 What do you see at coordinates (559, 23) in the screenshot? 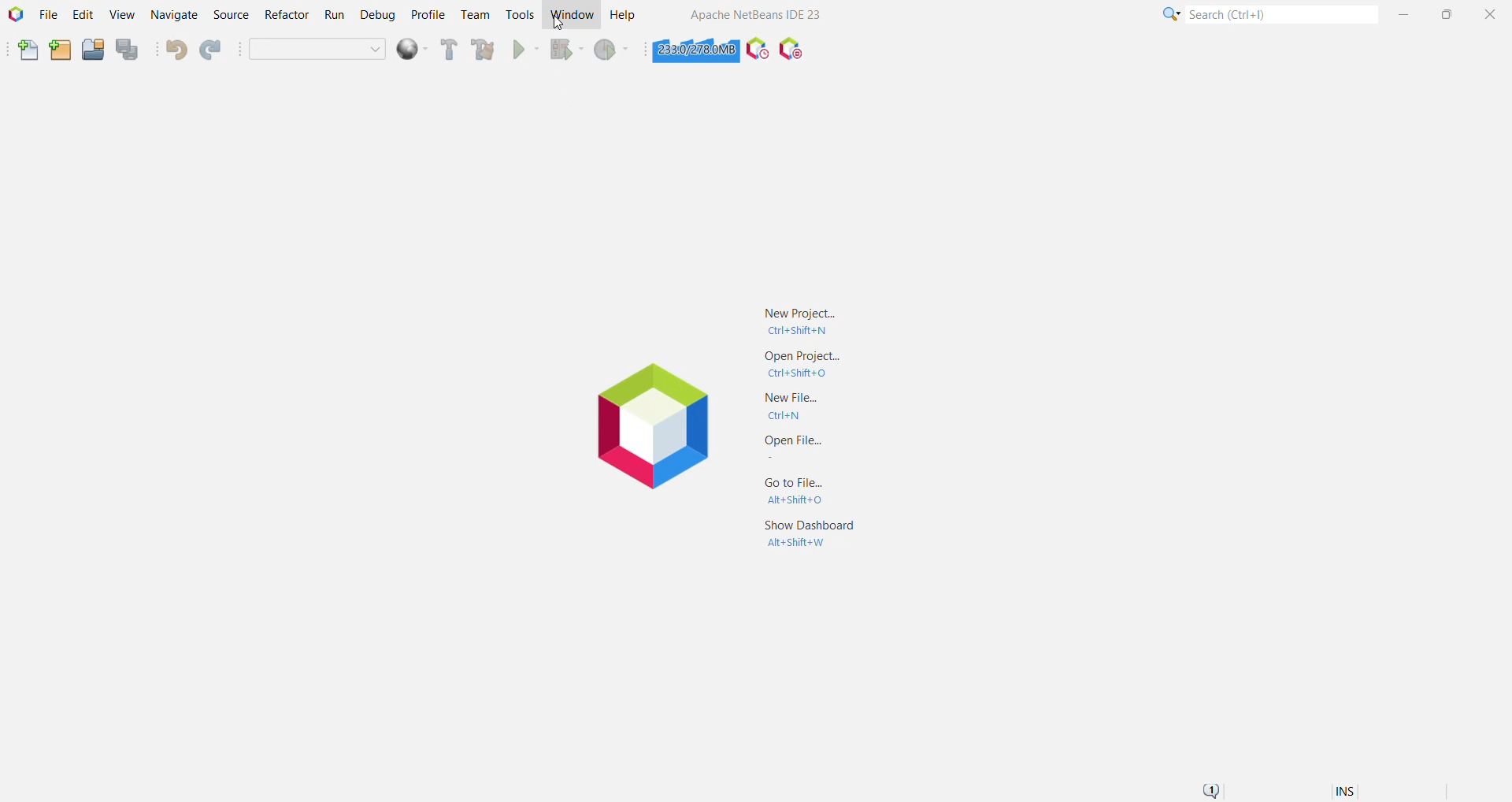
I see `cursor` at bounding box center [559, 23].